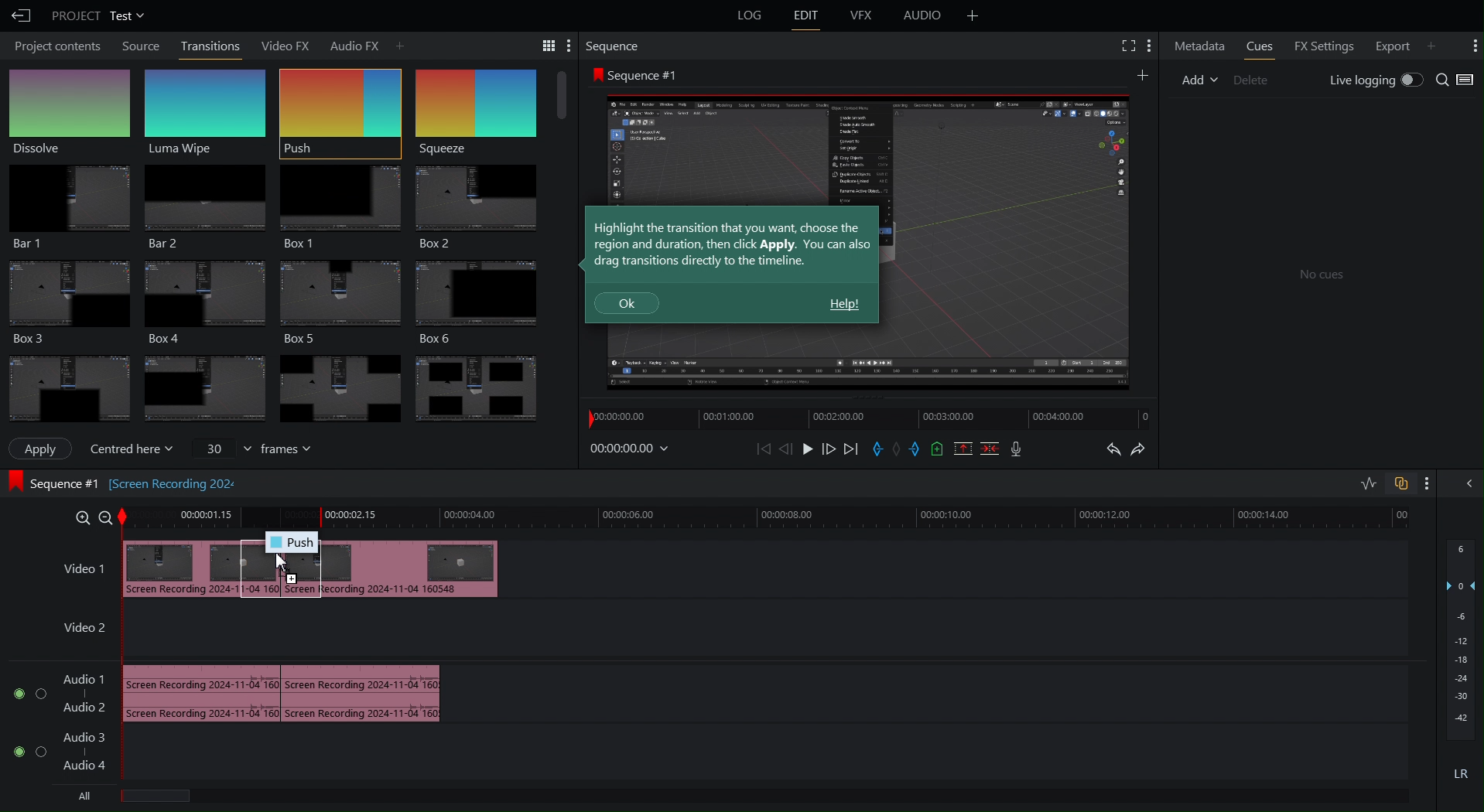 This screenshot has width=1484, height=812. What do you see at coordinates (854, 421) in the screenshot?
I see `Timeline` at bounding box center [854, 421].